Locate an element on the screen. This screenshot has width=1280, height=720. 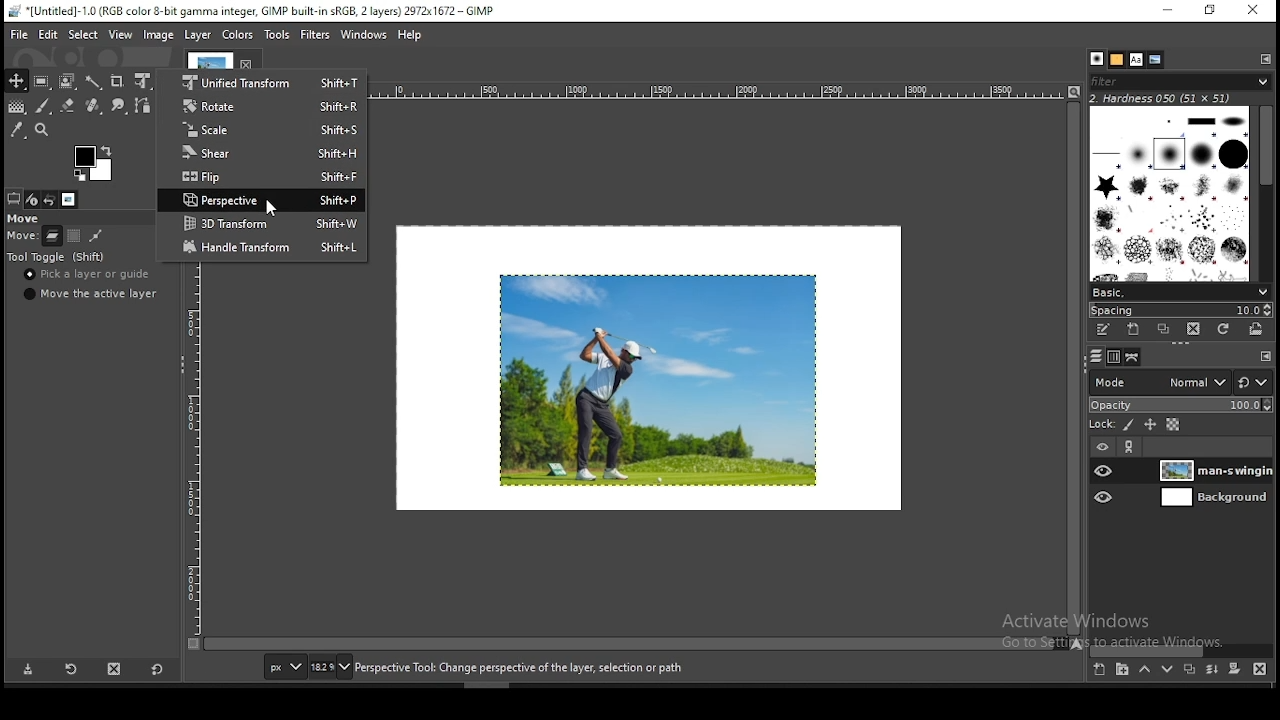
delete brush is located at coordinates (1196, 330).